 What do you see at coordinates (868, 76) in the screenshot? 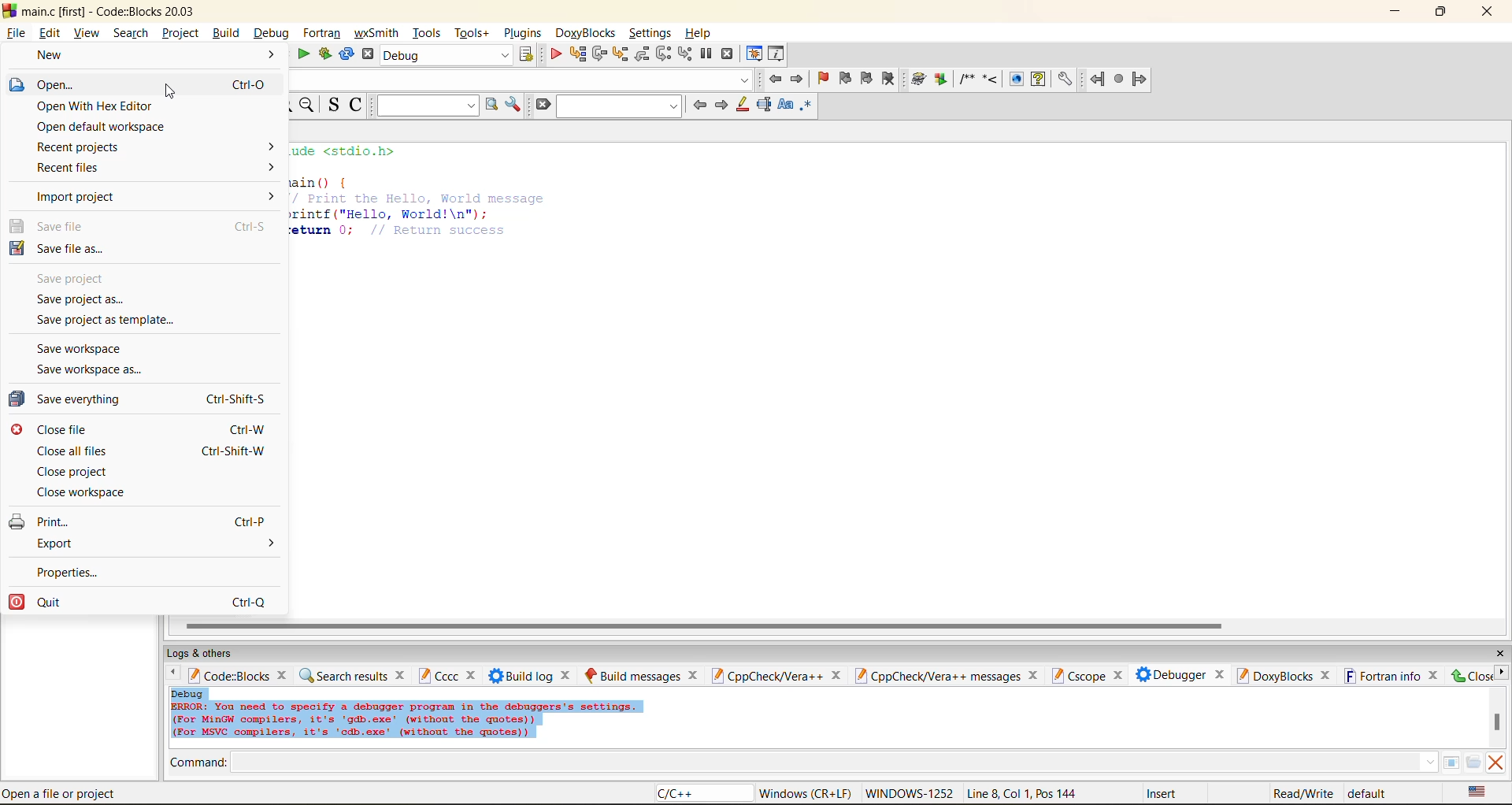
I see `next bookmark` at bounding box center [868, 76].